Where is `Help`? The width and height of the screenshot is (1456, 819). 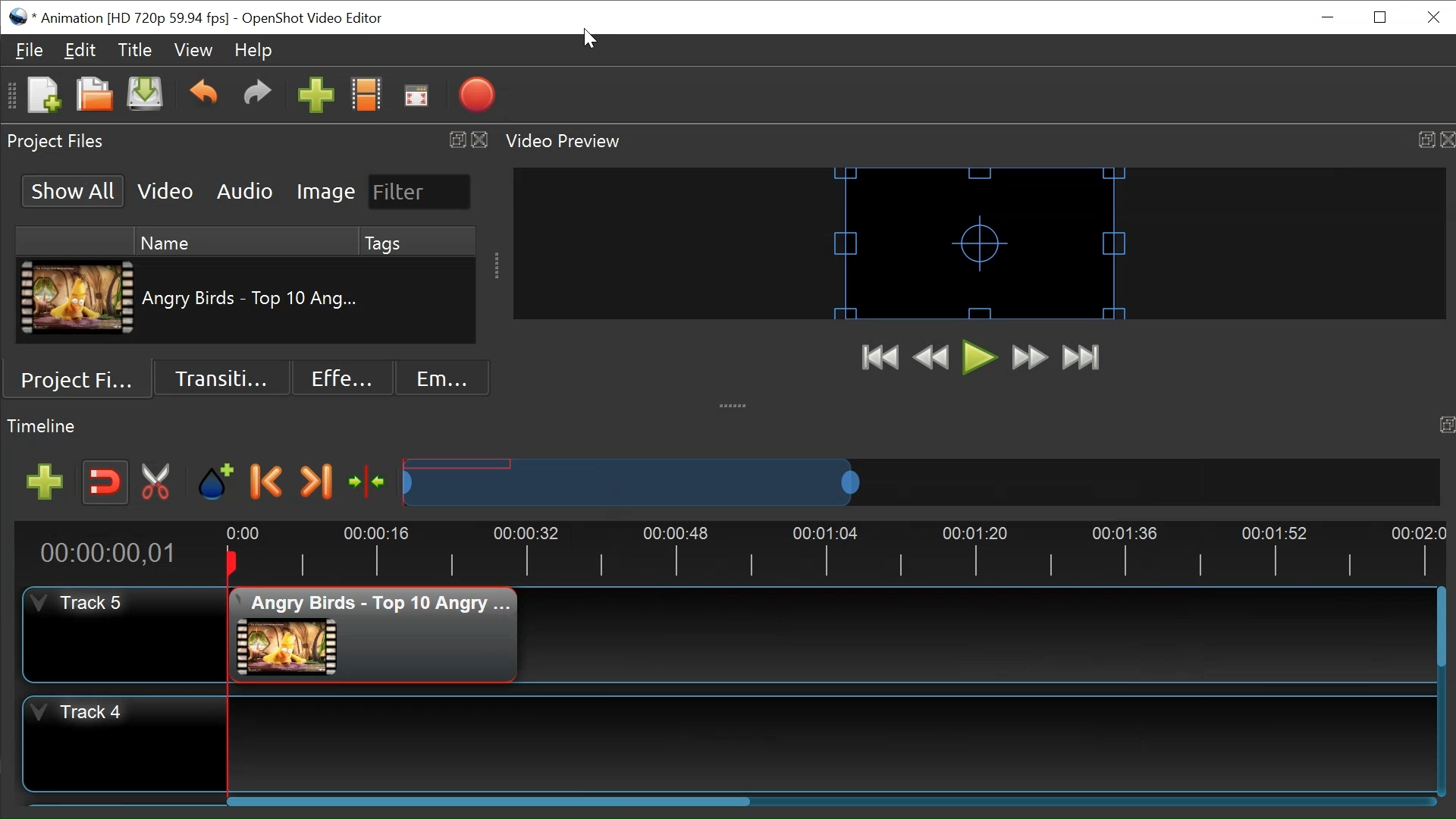 Help is located at coordinates (256, 52).